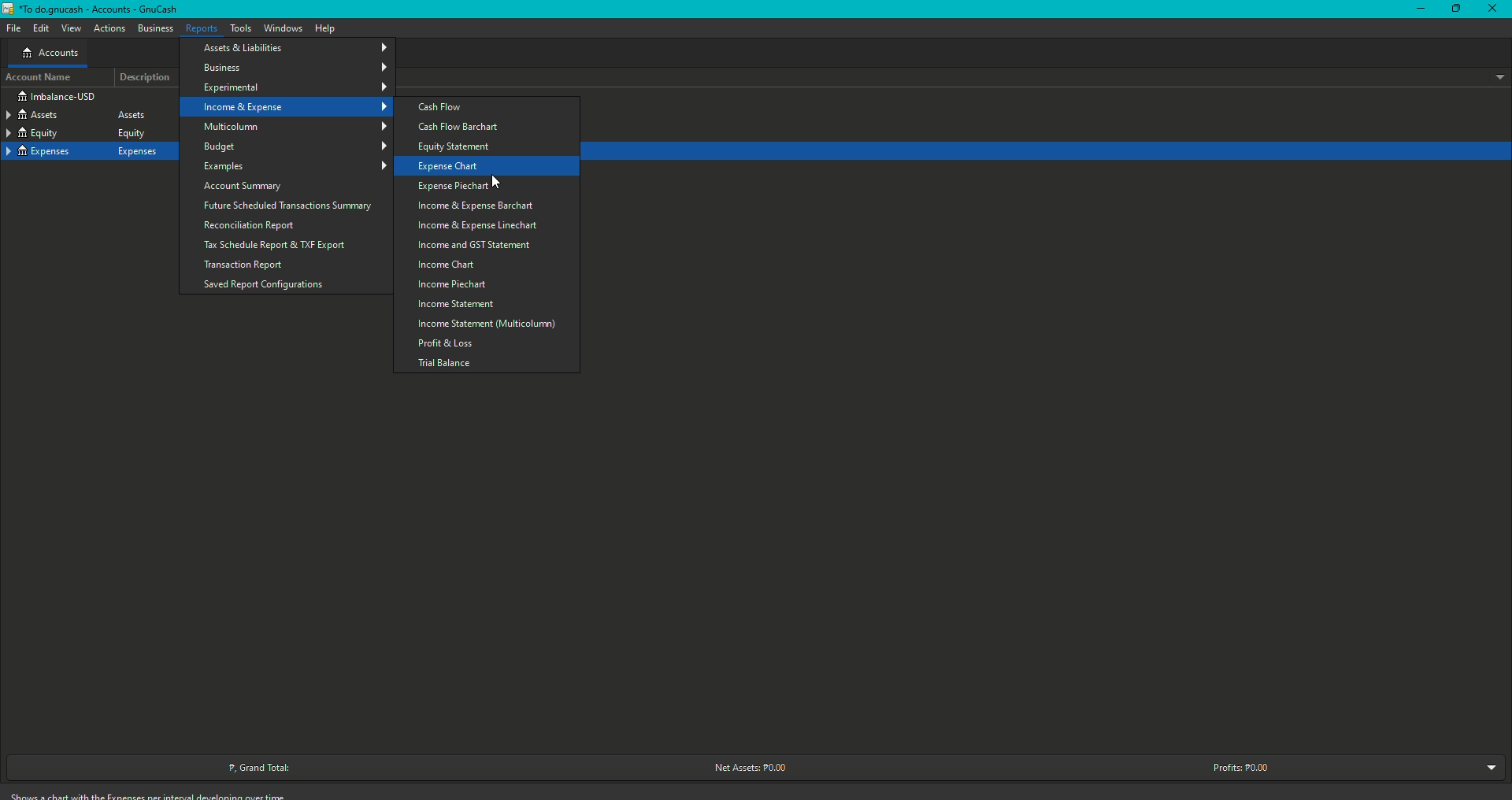 The height and width of the screenshot is (800, 1512). What do you see at coordinates (241, 28) in the screenshot?
I see `Tools` at bounding box center [241, 28].